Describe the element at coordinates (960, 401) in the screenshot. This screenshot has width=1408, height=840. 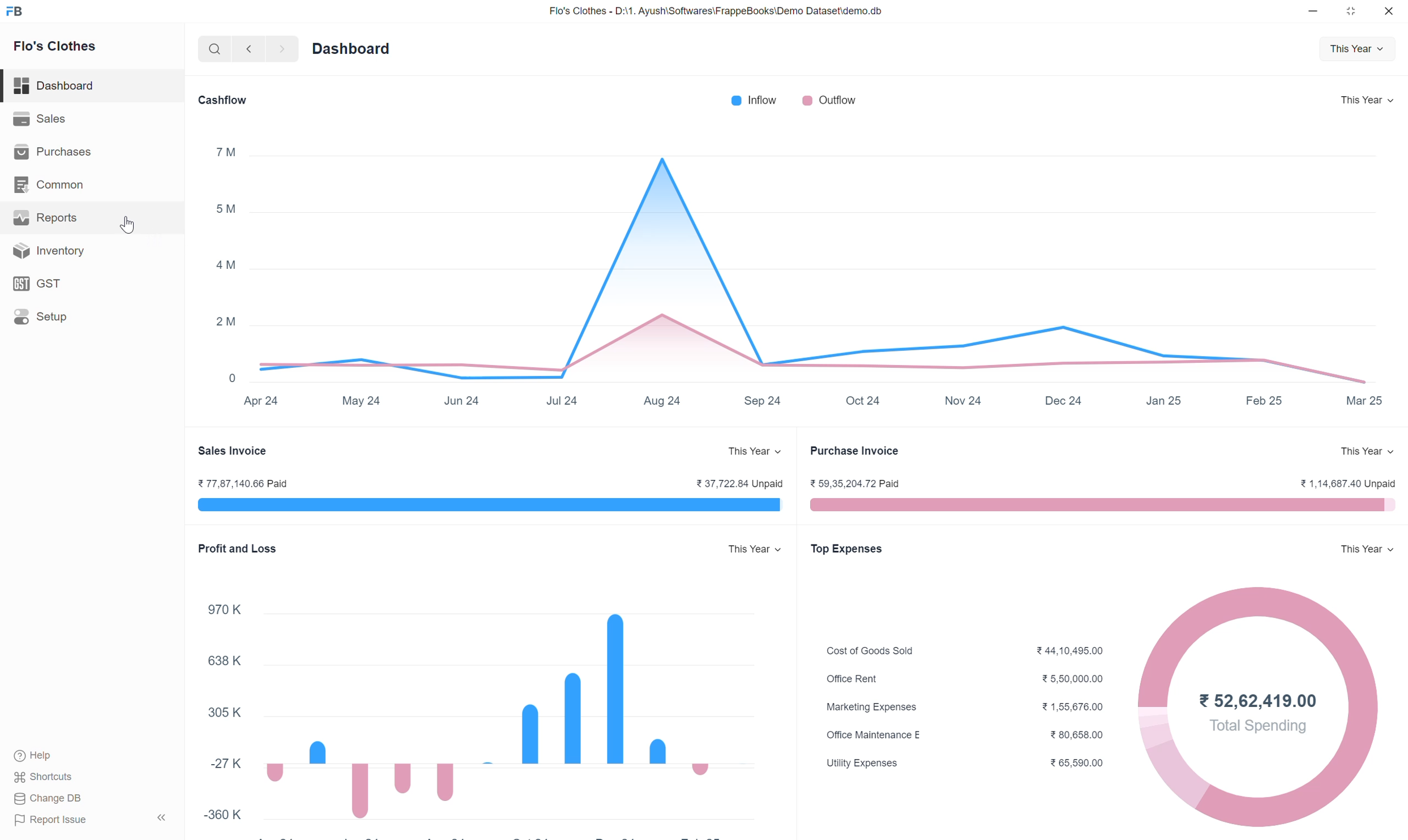
I see `Nov 24` at that location.